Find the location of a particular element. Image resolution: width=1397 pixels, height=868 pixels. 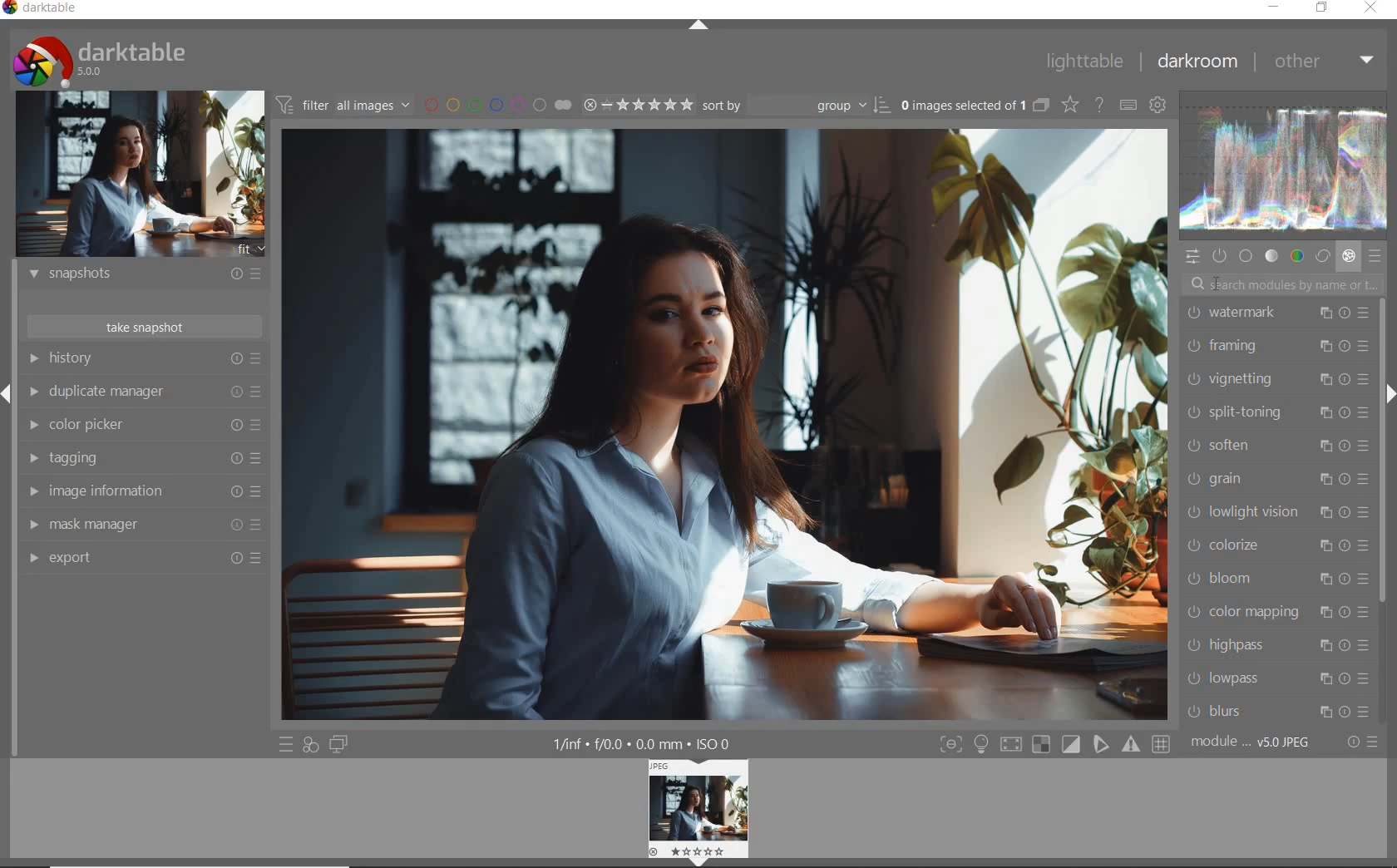

sort is located at coordinates (793, 106).